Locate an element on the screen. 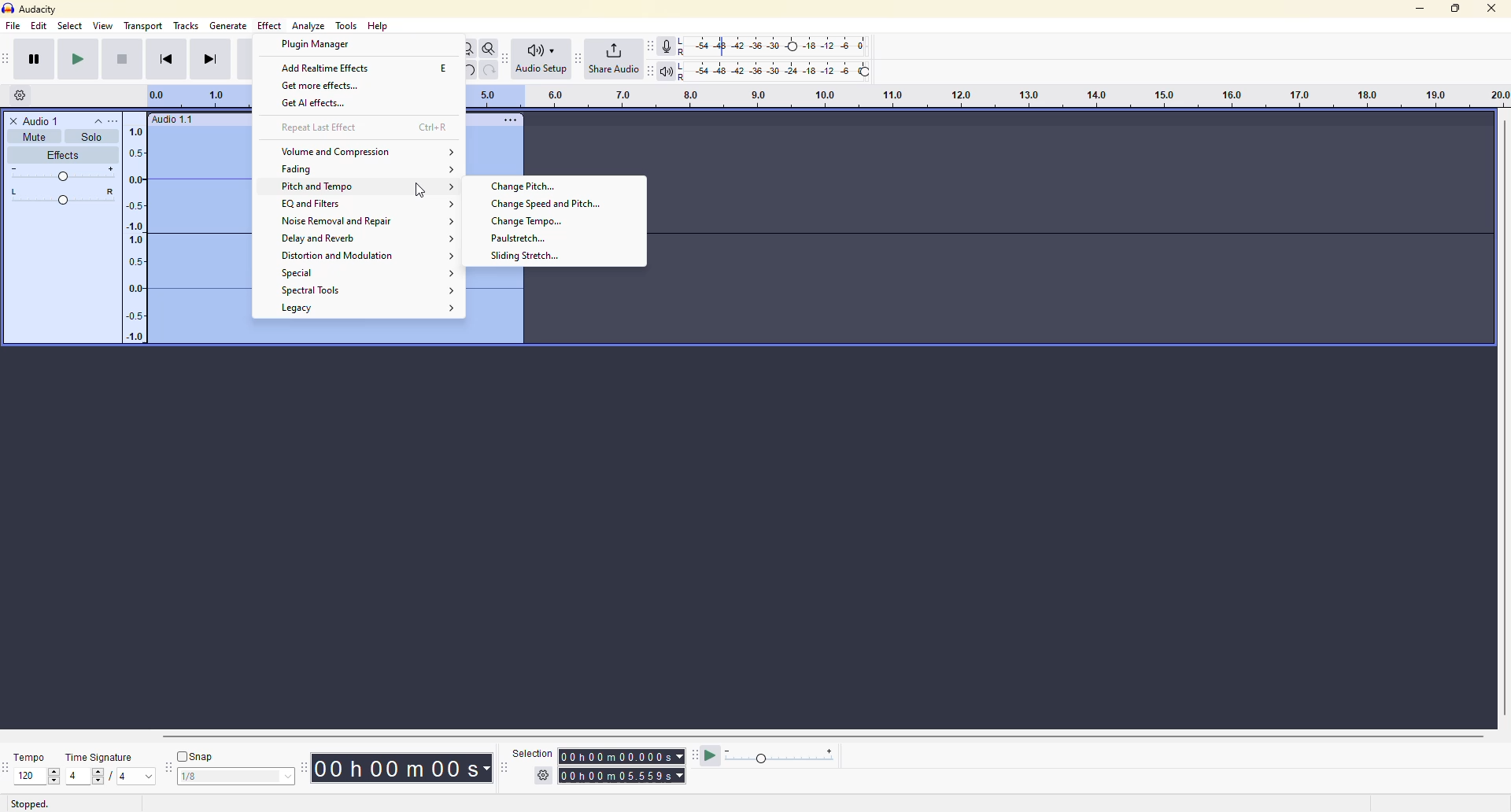  share audio toolbar is located at coordinates (577, 58).